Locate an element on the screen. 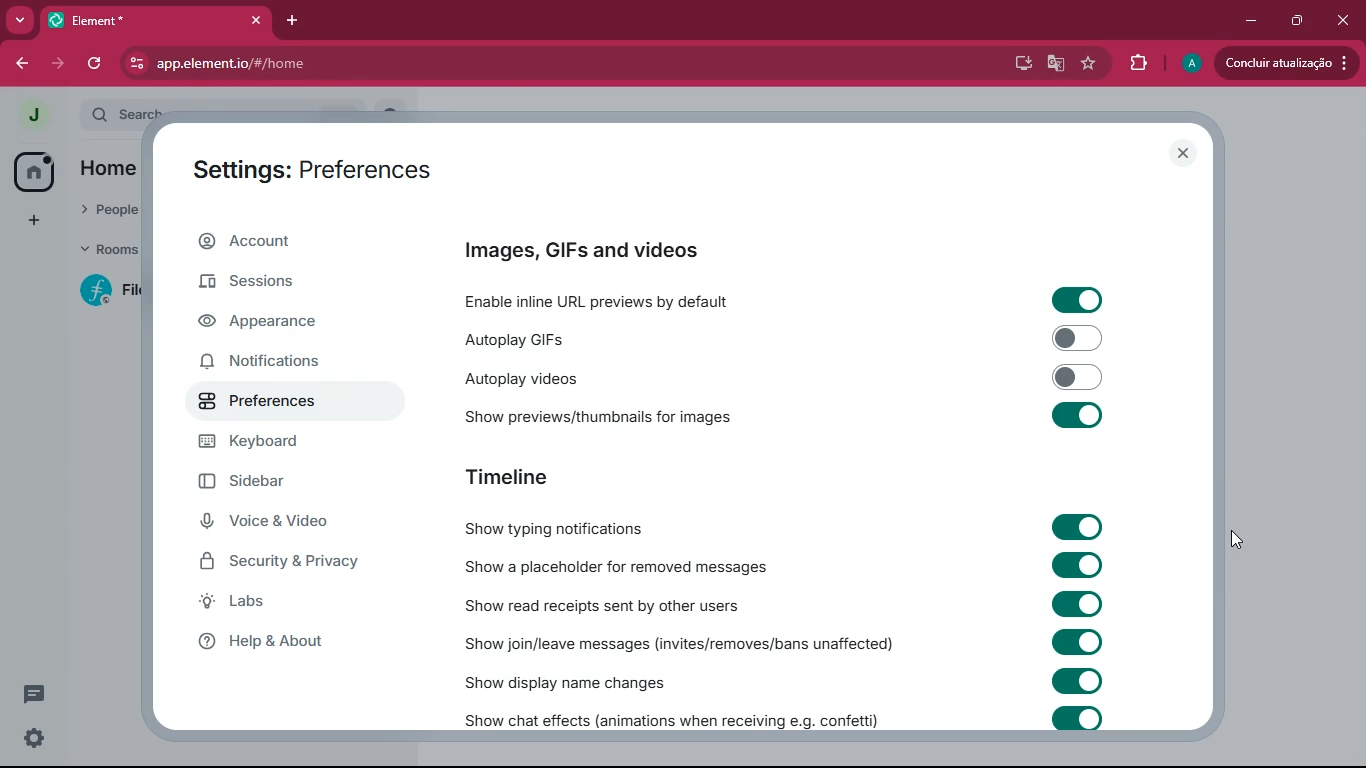 The width and height of the screenshot is (1366, 768). labs is located at coordinates (271, 601).